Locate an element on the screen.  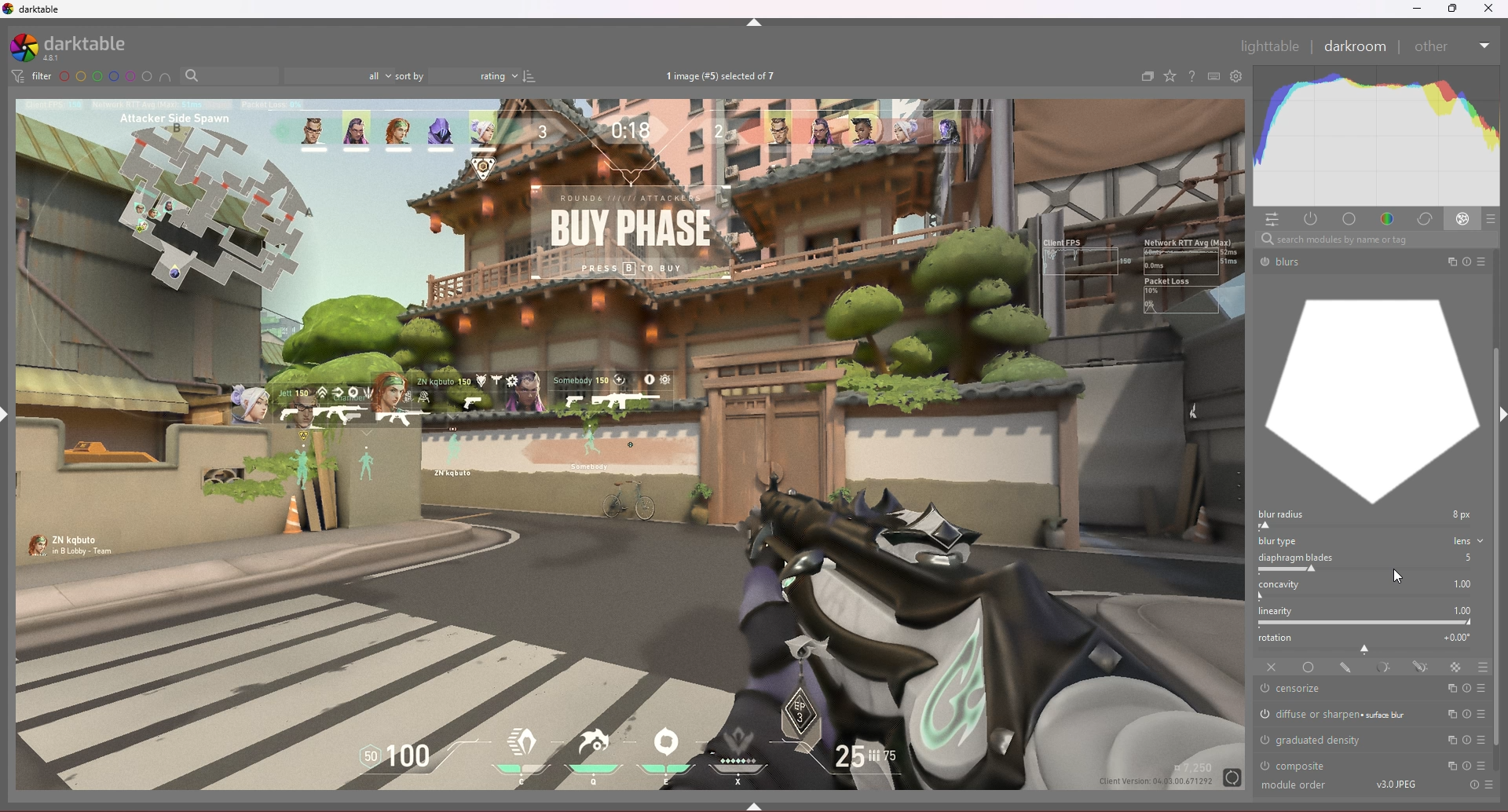
photo is located at coordinates (630, 444).